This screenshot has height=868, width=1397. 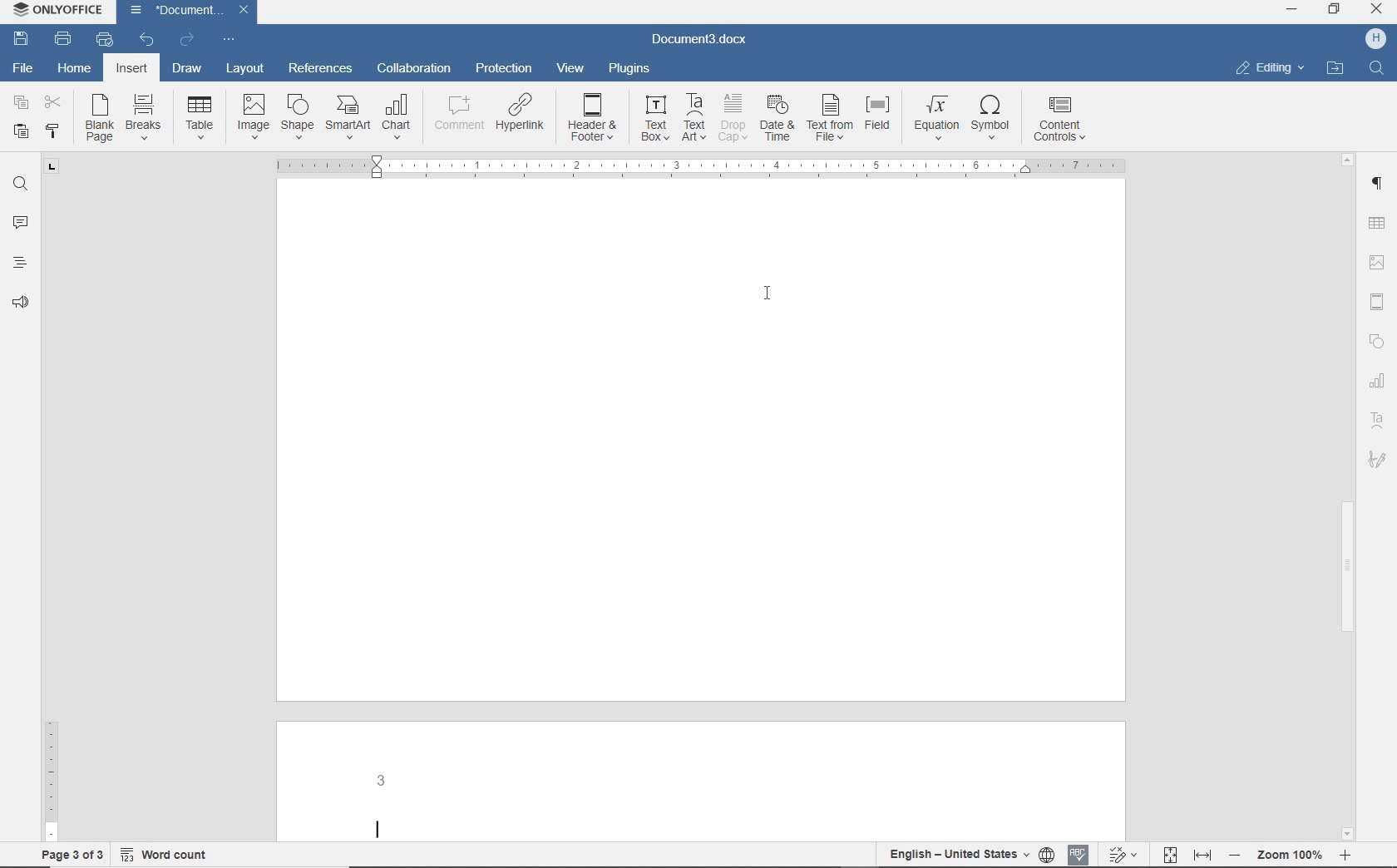 I want to click on VIEW, so click(x=572, y=68).